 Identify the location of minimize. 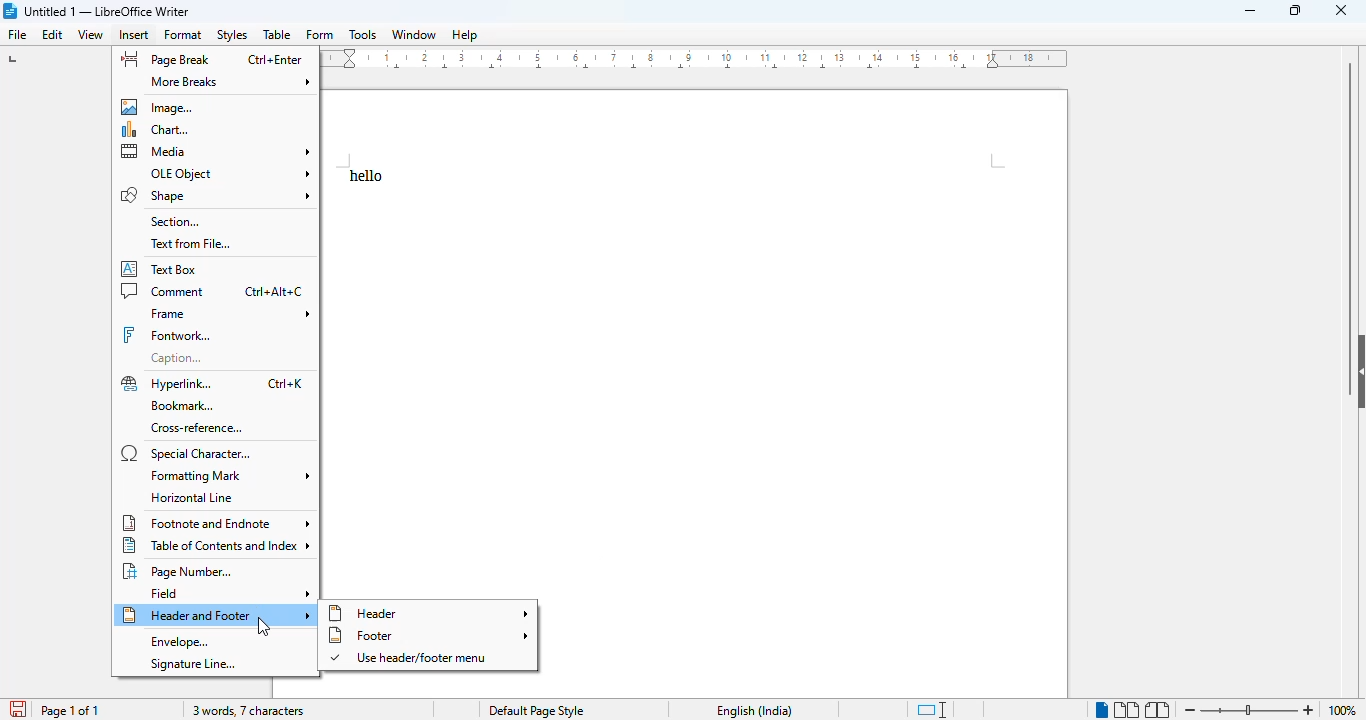
(1249, 11).